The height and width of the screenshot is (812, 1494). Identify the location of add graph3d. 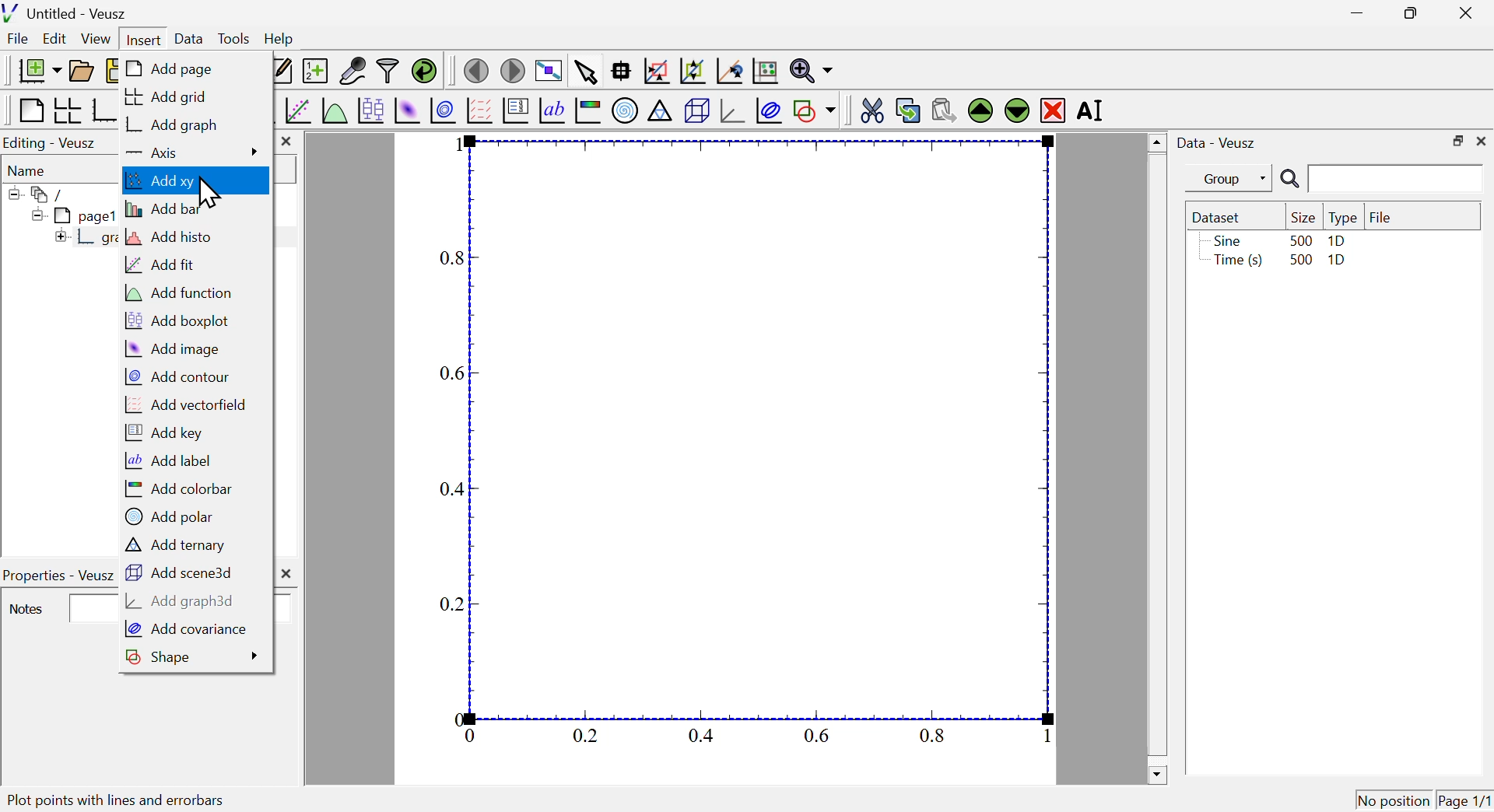
(183, 601).